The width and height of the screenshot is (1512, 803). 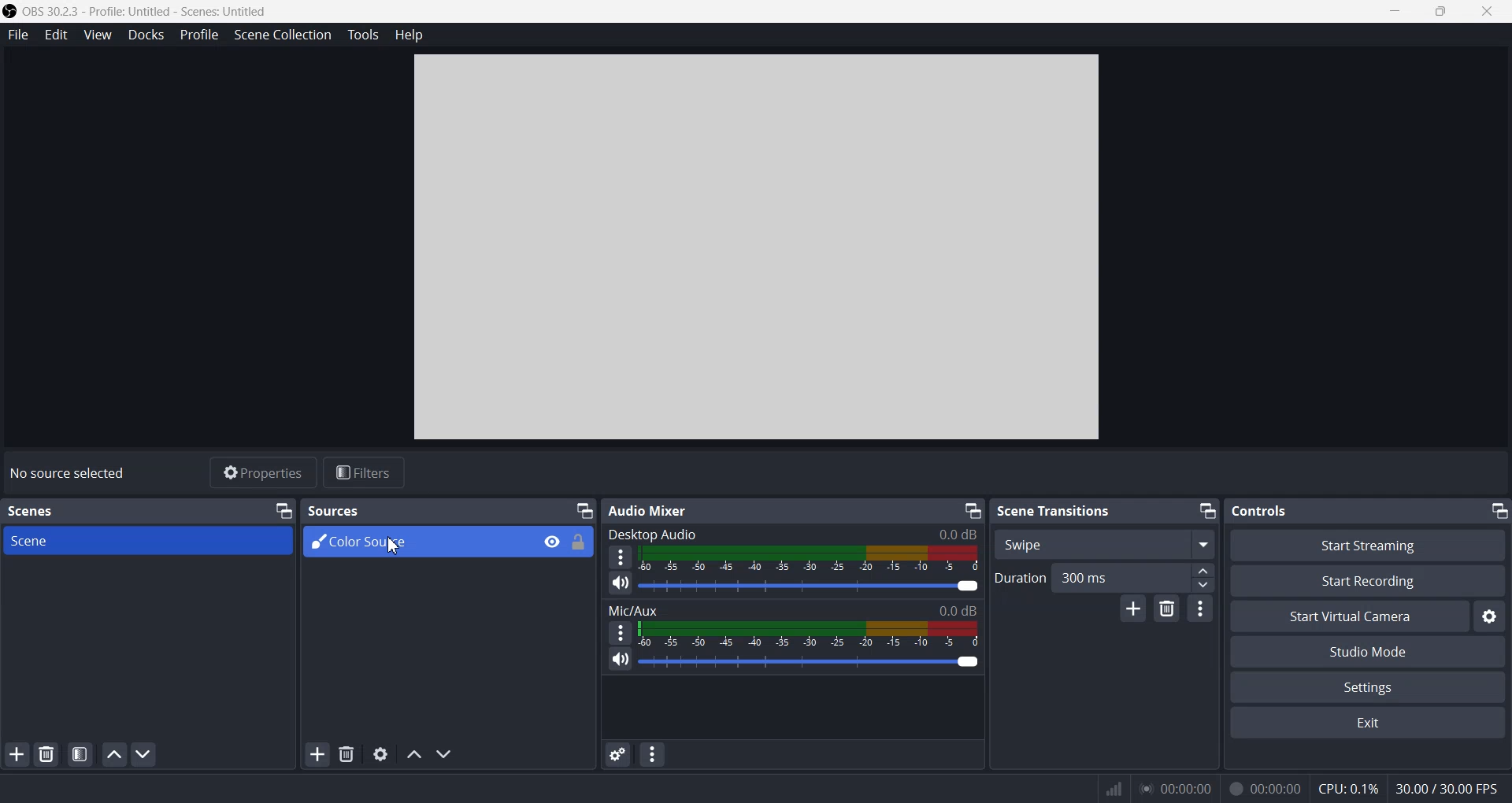 What do you see at coordinates (17, 36) in the screenshot?
I see `File` at bounding box center [17, 36].